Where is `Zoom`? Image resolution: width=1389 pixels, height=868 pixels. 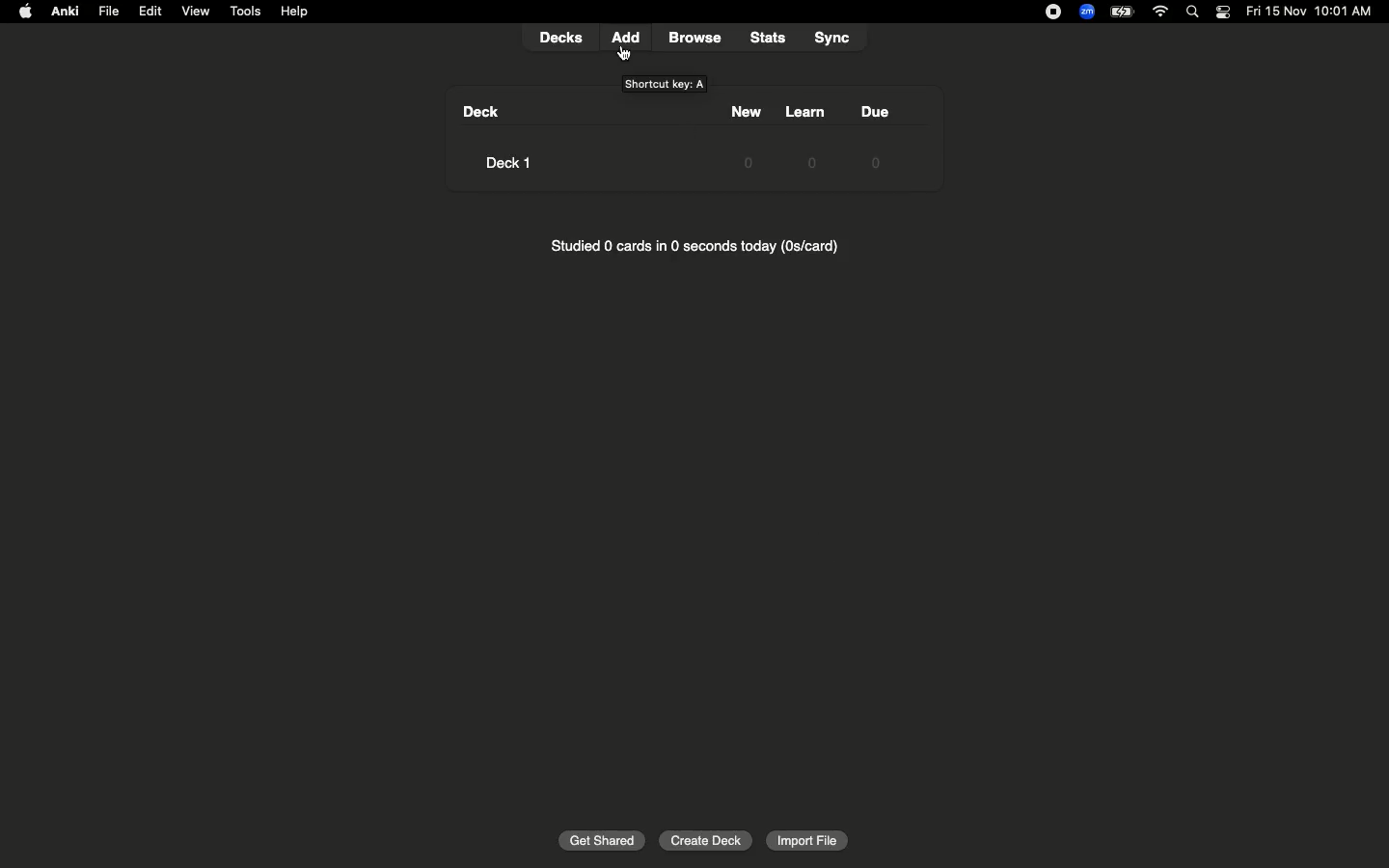
Zoom is located at coordinates (1085, 13).